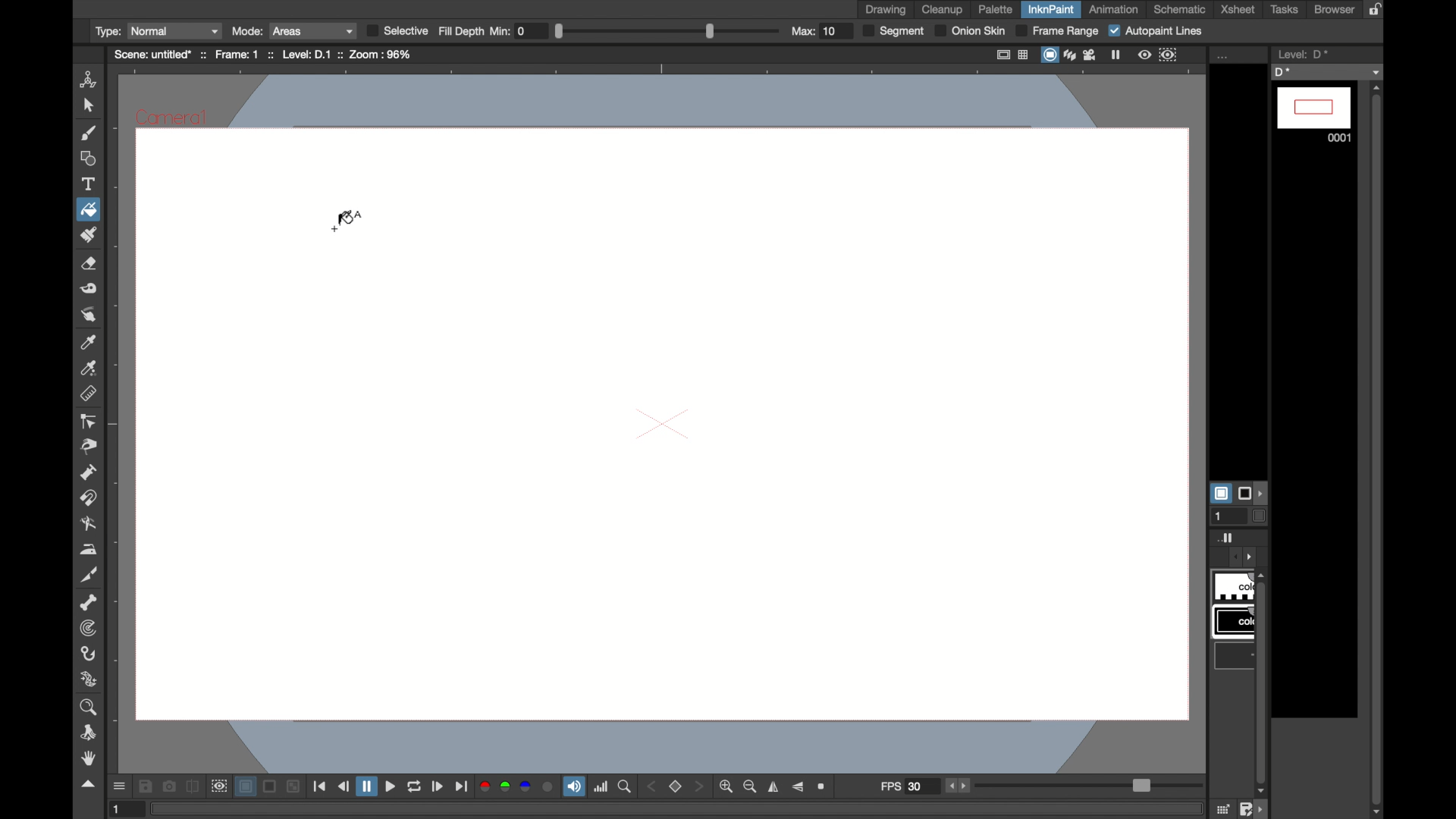  I want to click on Selective, so click(398, 31).